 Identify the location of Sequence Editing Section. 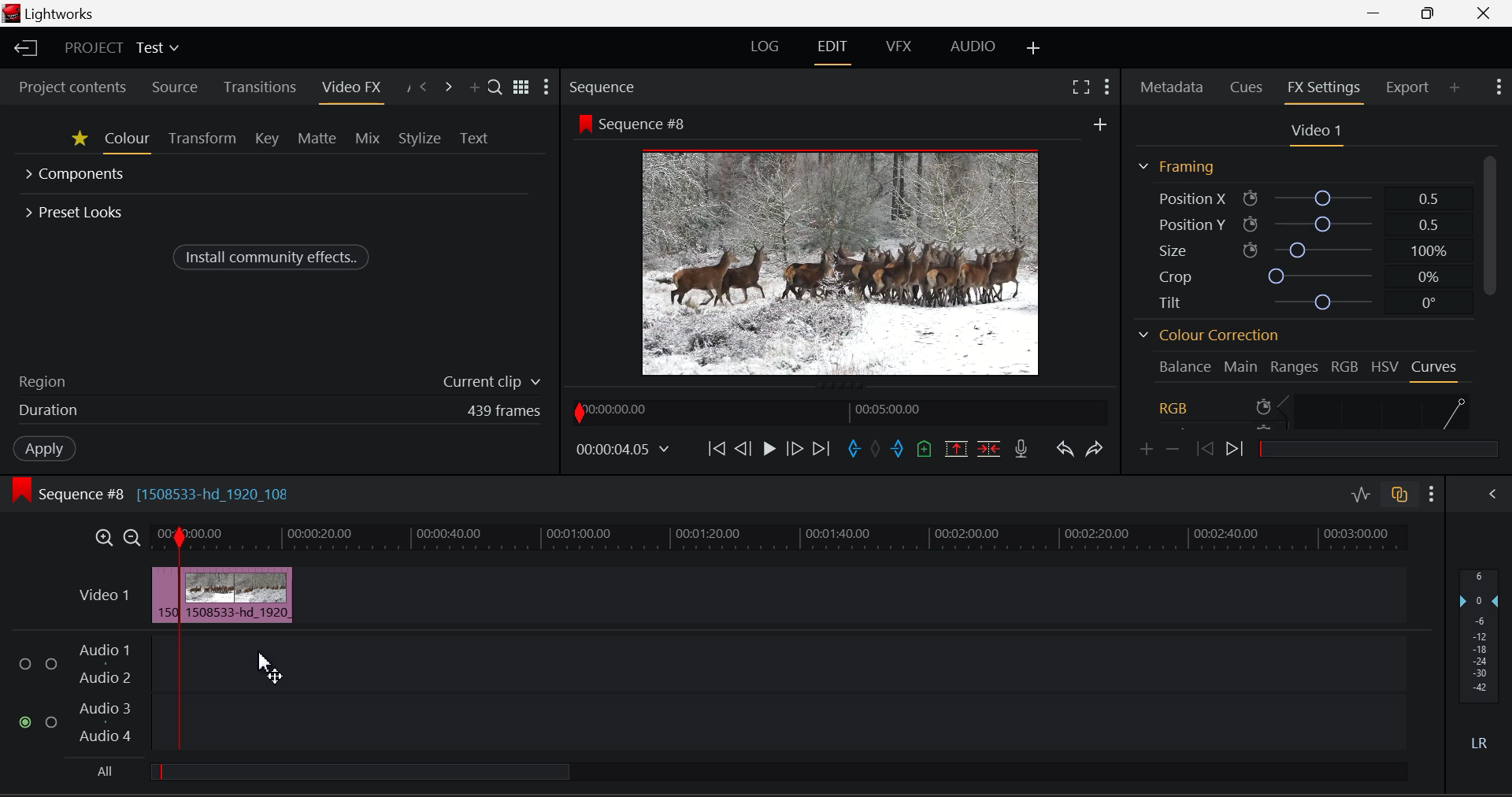
(154, 494).